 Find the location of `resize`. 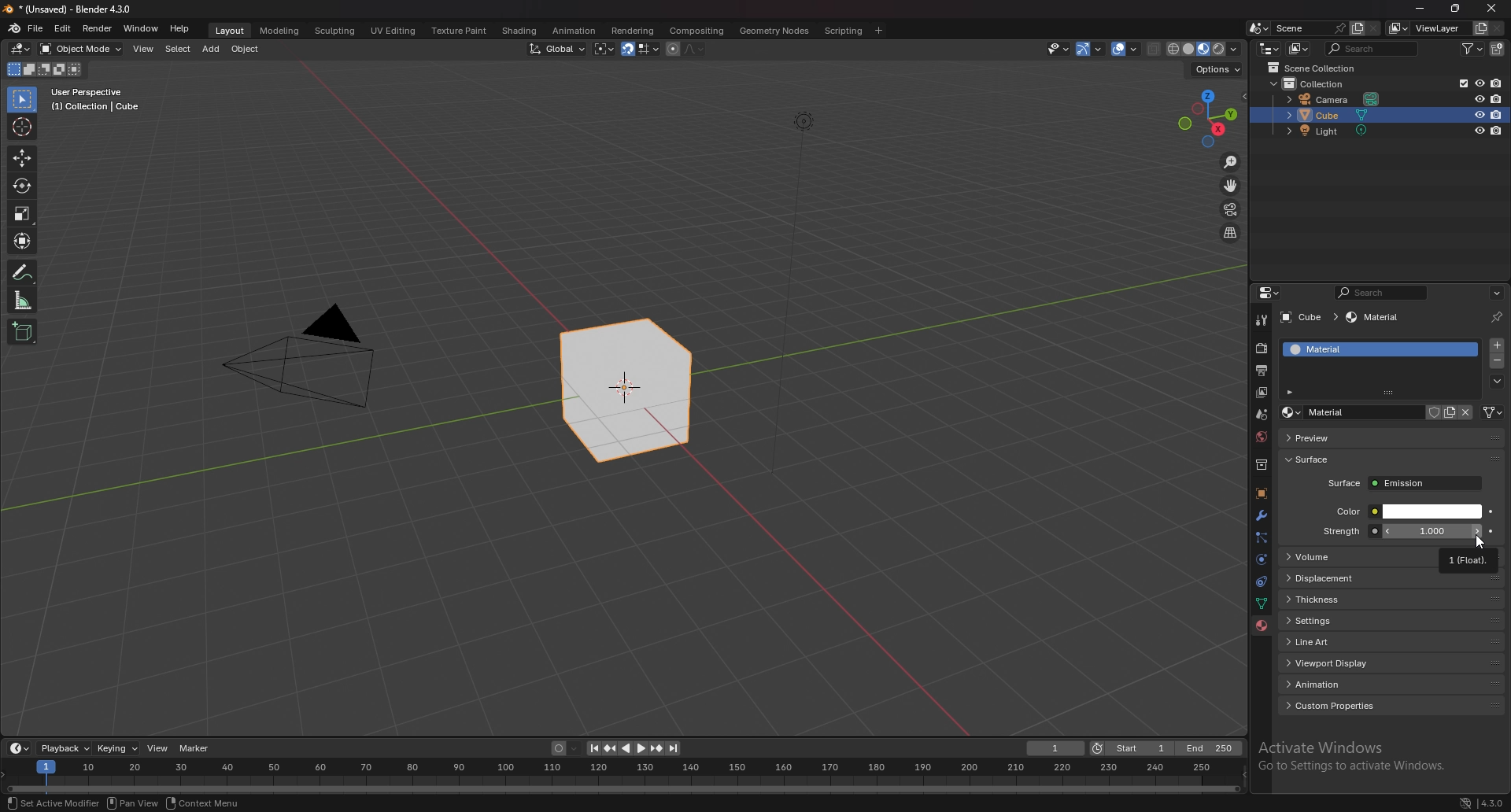

resize is located at coordinates (1455, 9).